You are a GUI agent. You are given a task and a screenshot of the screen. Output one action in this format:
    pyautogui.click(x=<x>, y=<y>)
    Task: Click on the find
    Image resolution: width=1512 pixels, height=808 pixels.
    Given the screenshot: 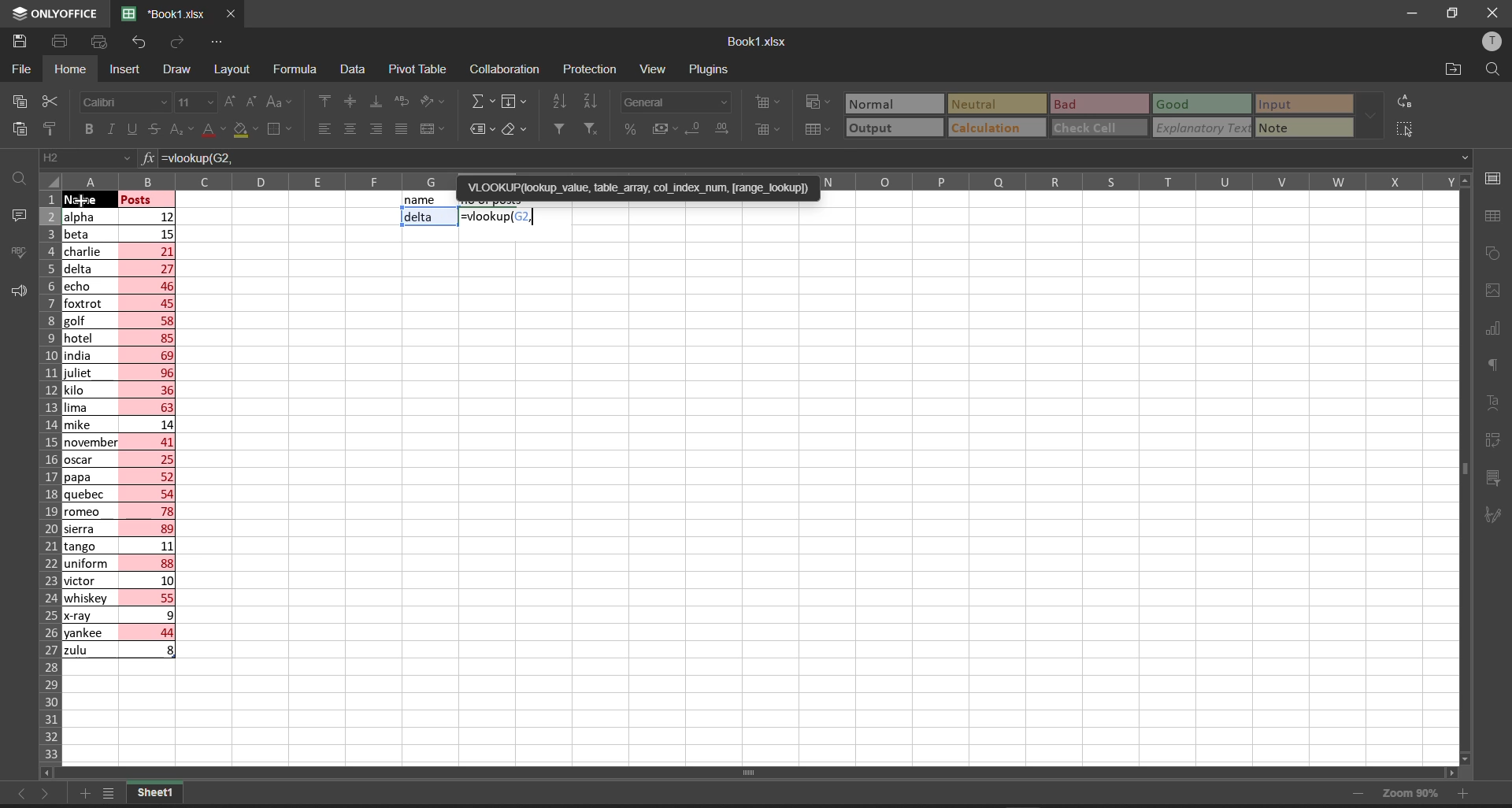 What is the action you would take?
    pyautogui.click(x=1495, y=69)
    